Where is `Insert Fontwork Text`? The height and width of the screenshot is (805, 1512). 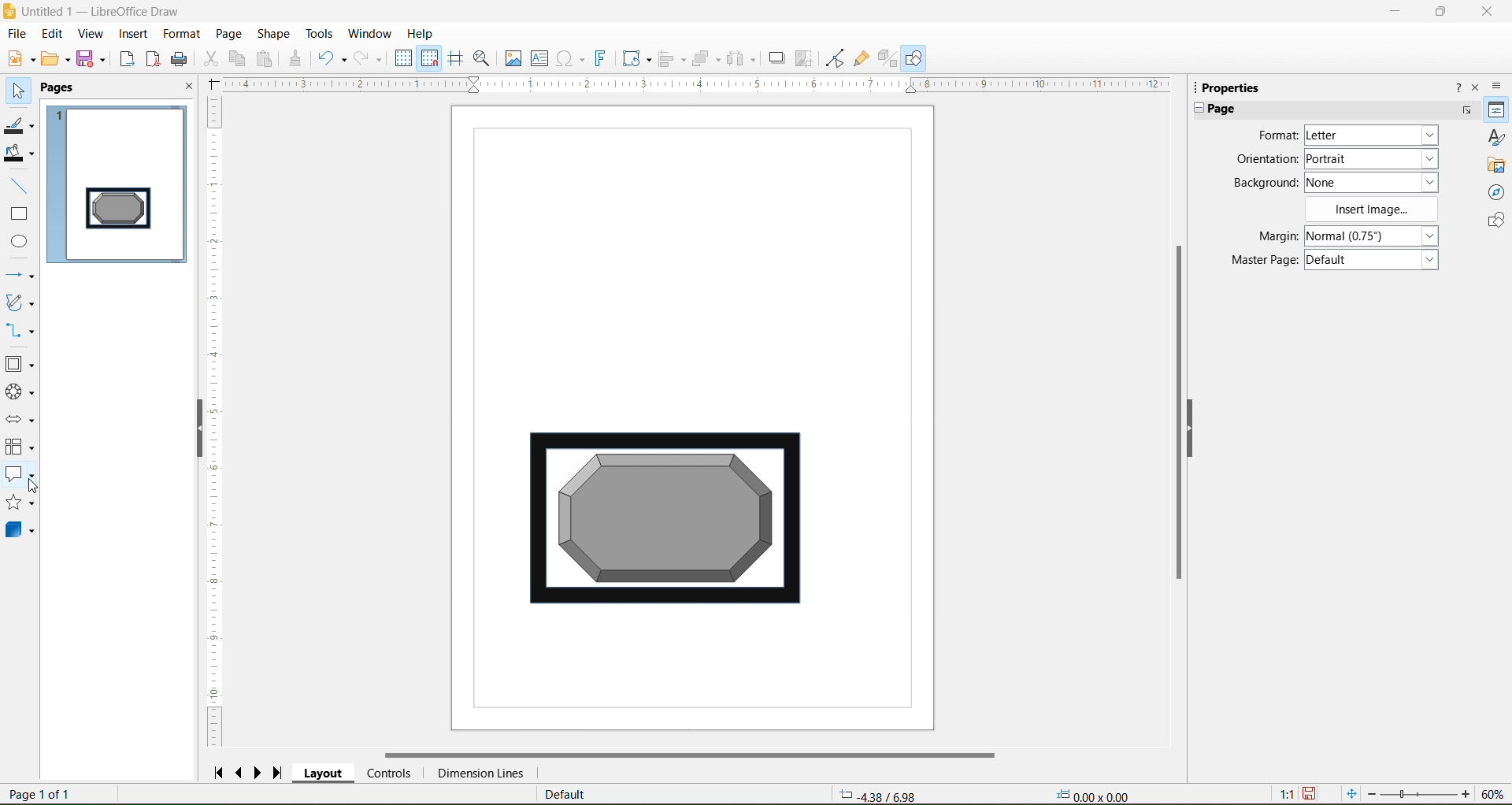 Insert Fontwork Text is located at coordinates (602, 60).